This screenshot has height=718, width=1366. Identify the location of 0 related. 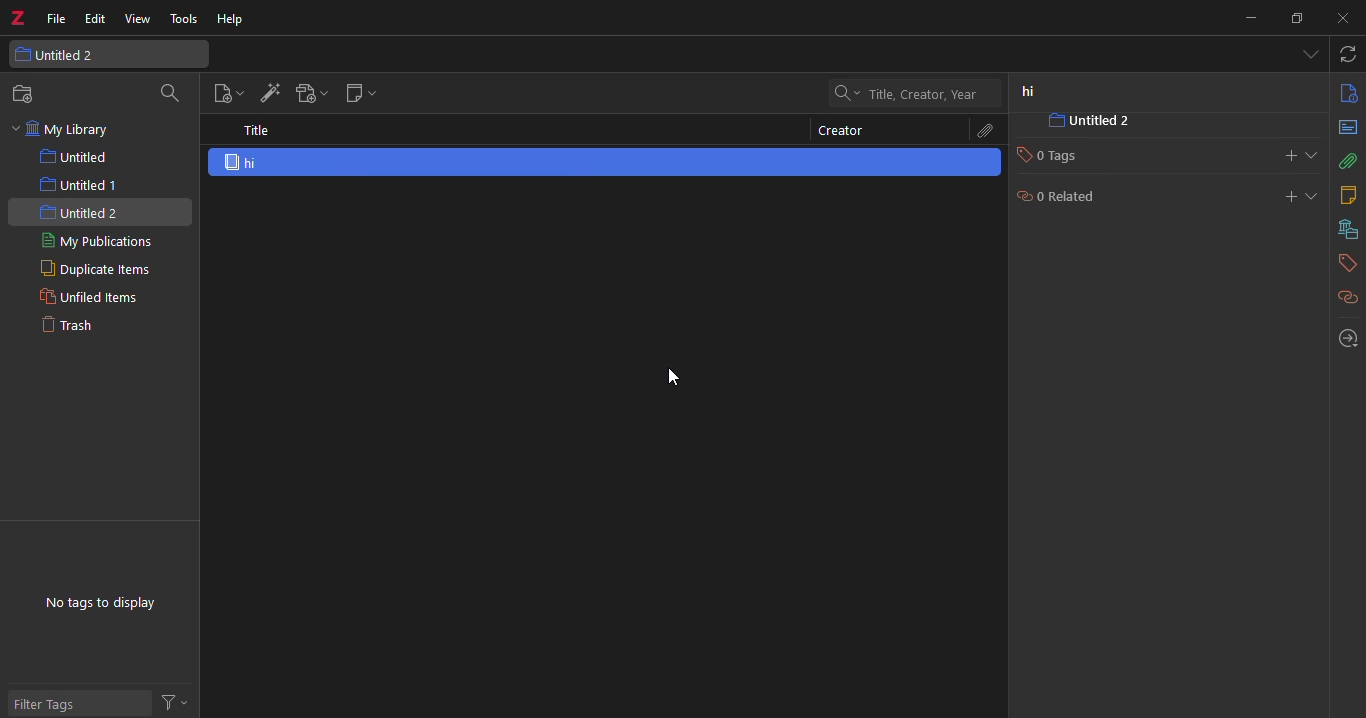
(1063, 200).